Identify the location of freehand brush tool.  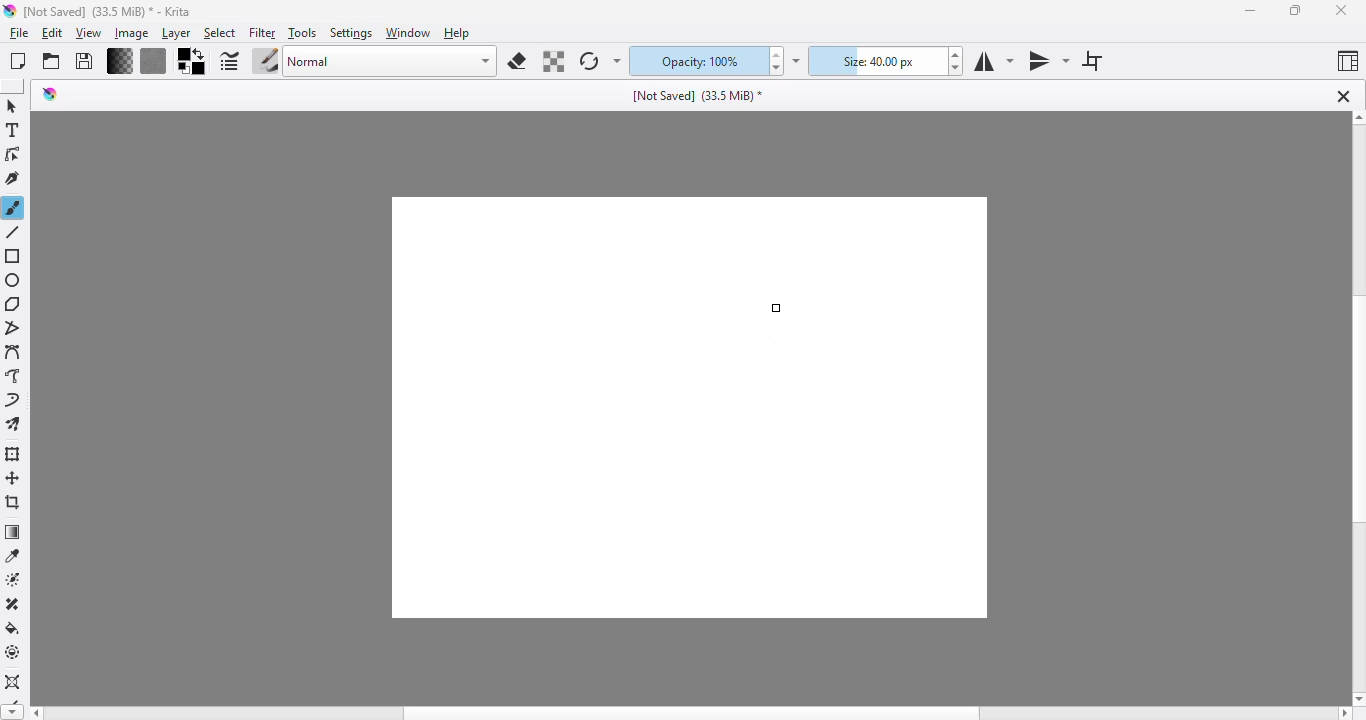
(15, 208).